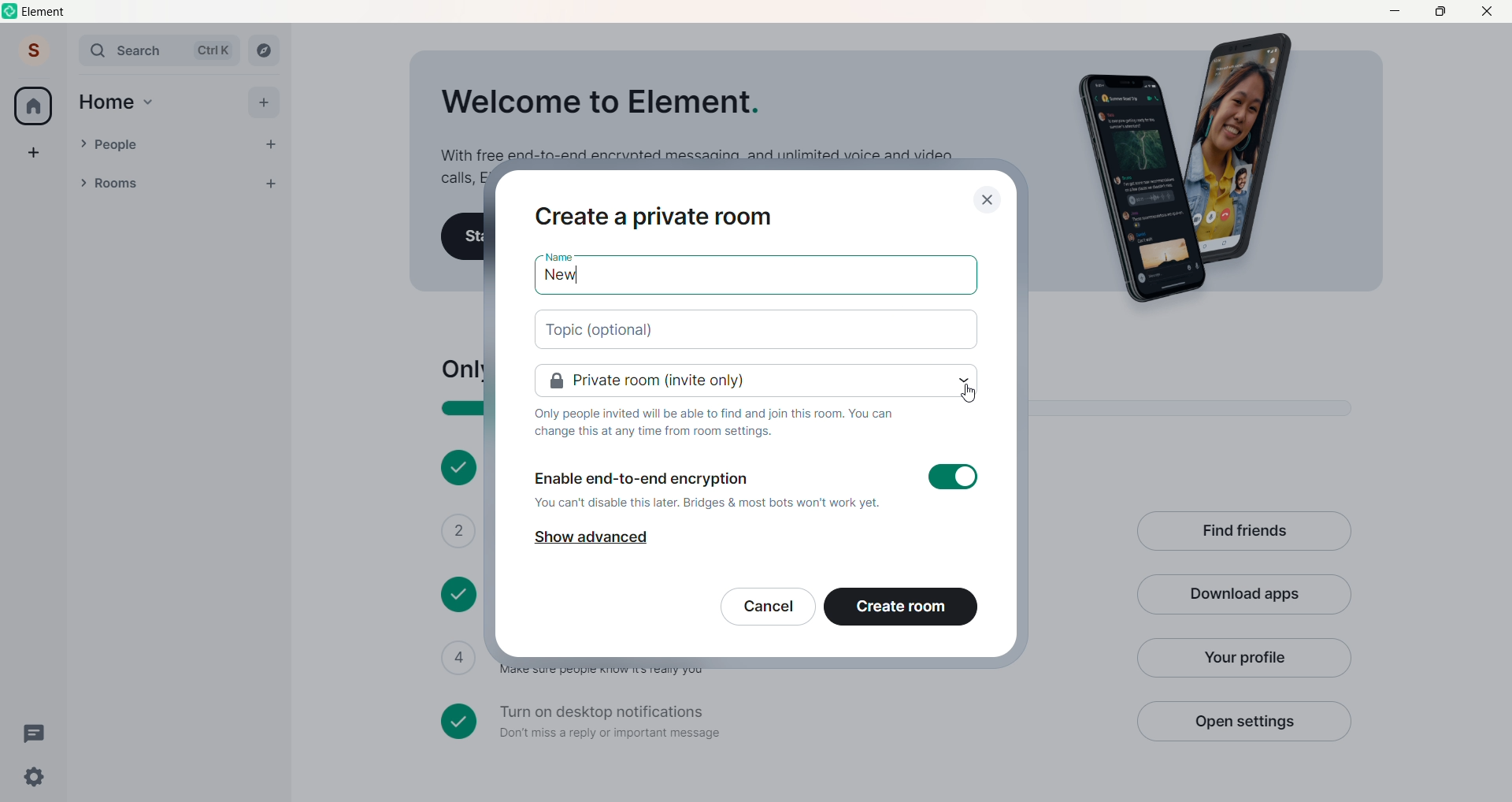  I want to click on Turn on desktop notifications
Don't miss a reply or important message, so click(778, 722).